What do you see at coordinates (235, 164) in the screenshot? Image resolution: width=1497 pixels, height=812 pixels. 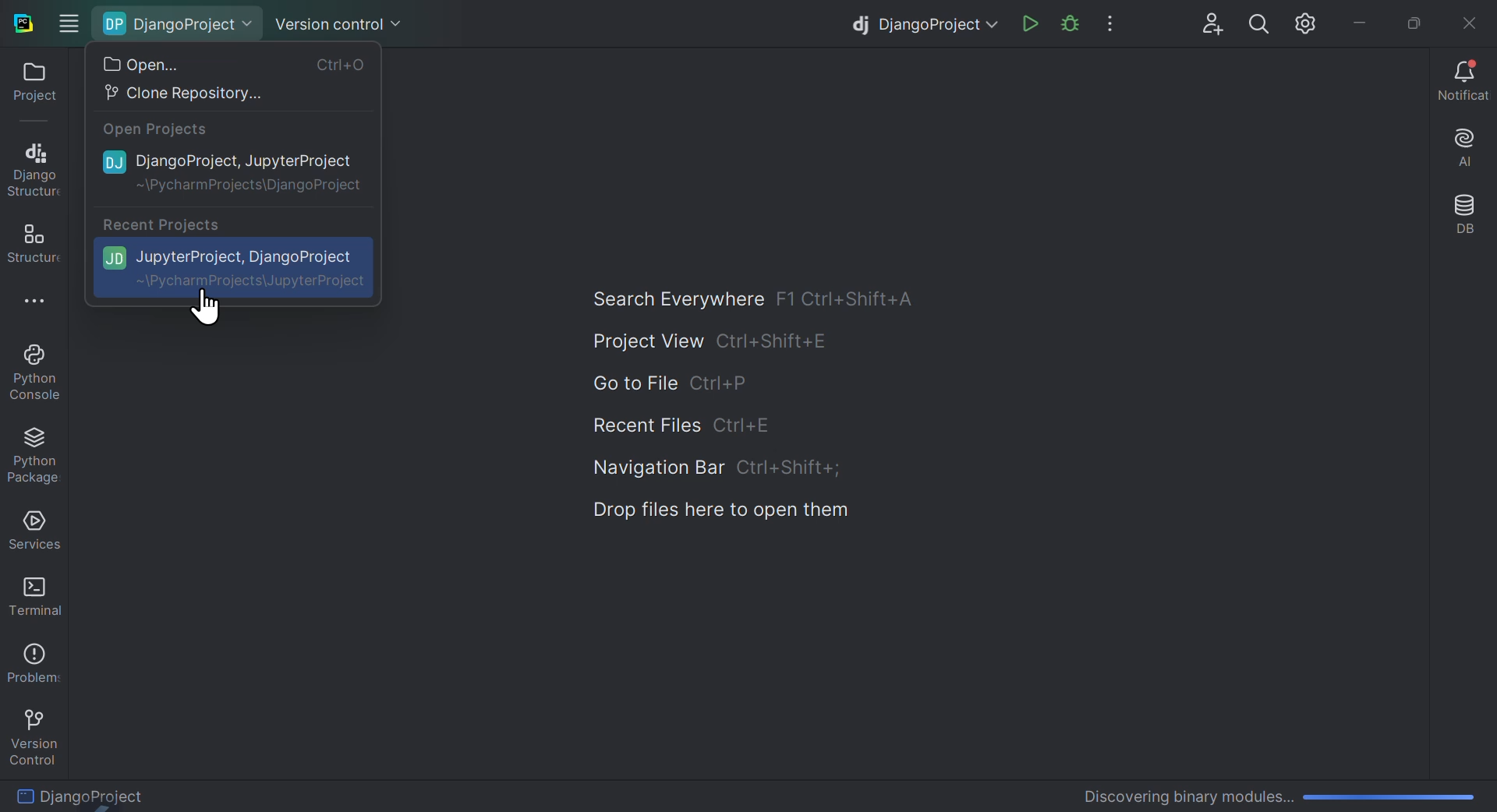 I see `Django project Jupyter project` at bounding box center [235, 164].